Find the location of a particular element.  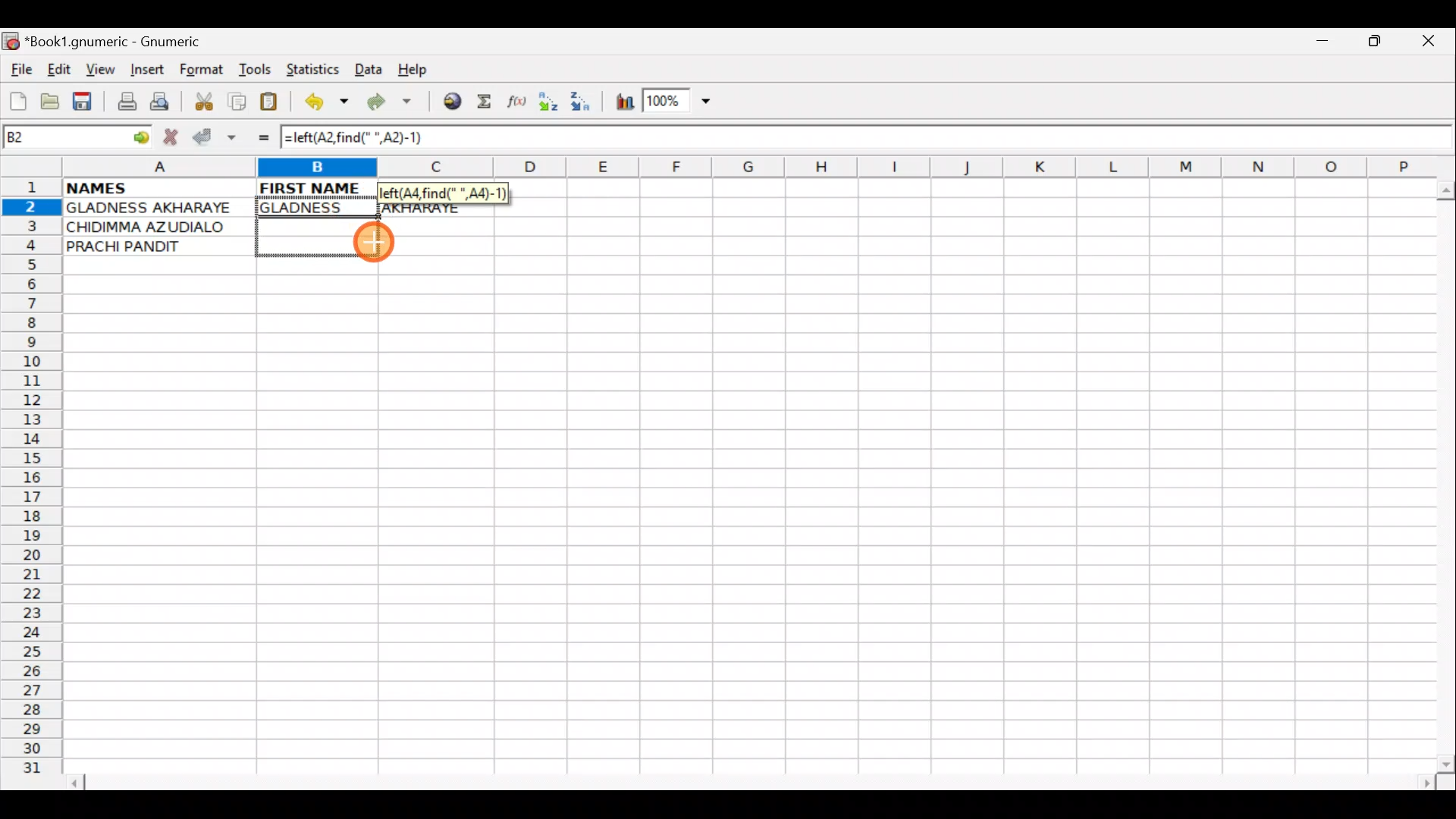

Data is located at coordinates (368, 68).